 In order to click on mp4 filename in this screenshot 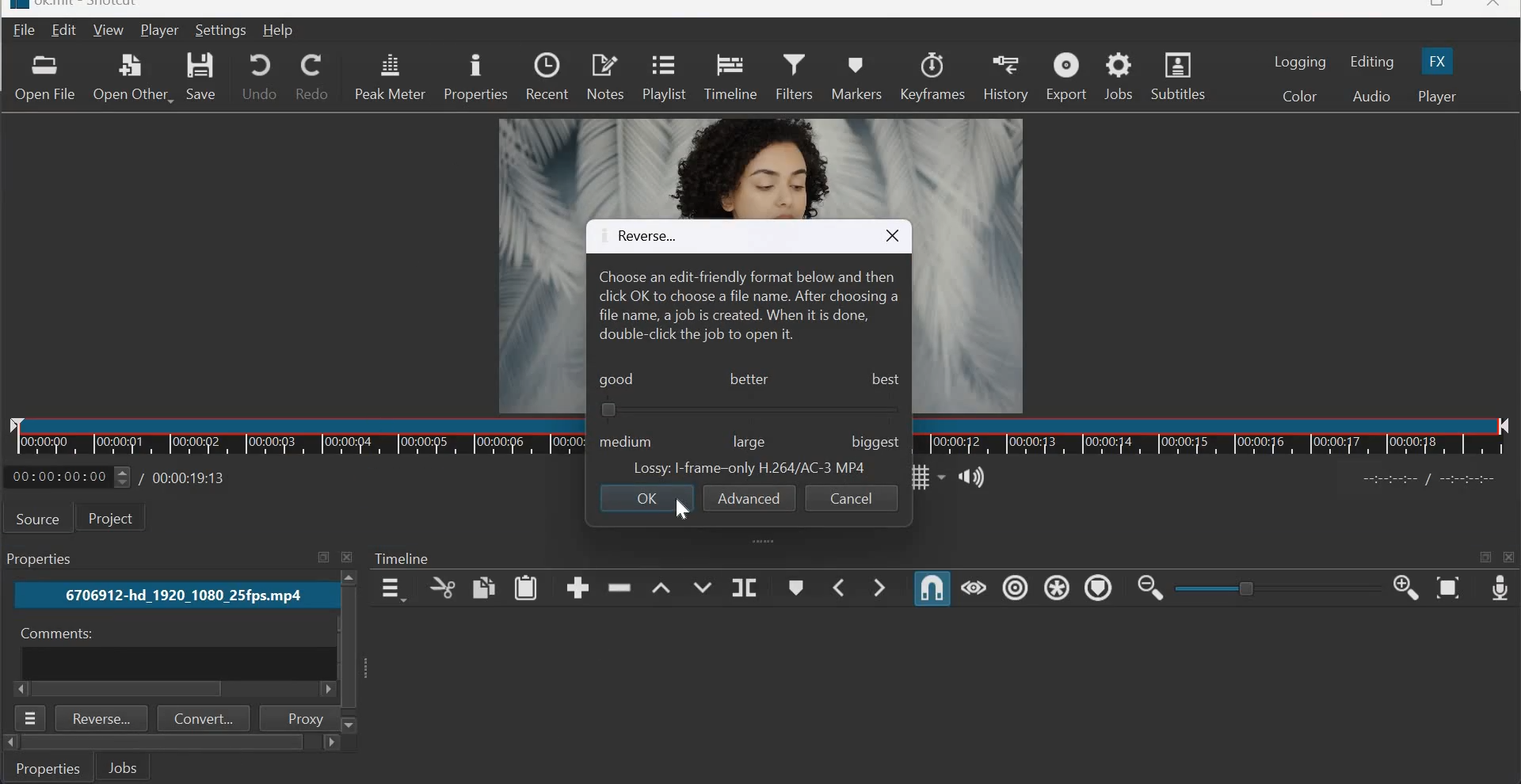, I will do `click(750, 470)`.